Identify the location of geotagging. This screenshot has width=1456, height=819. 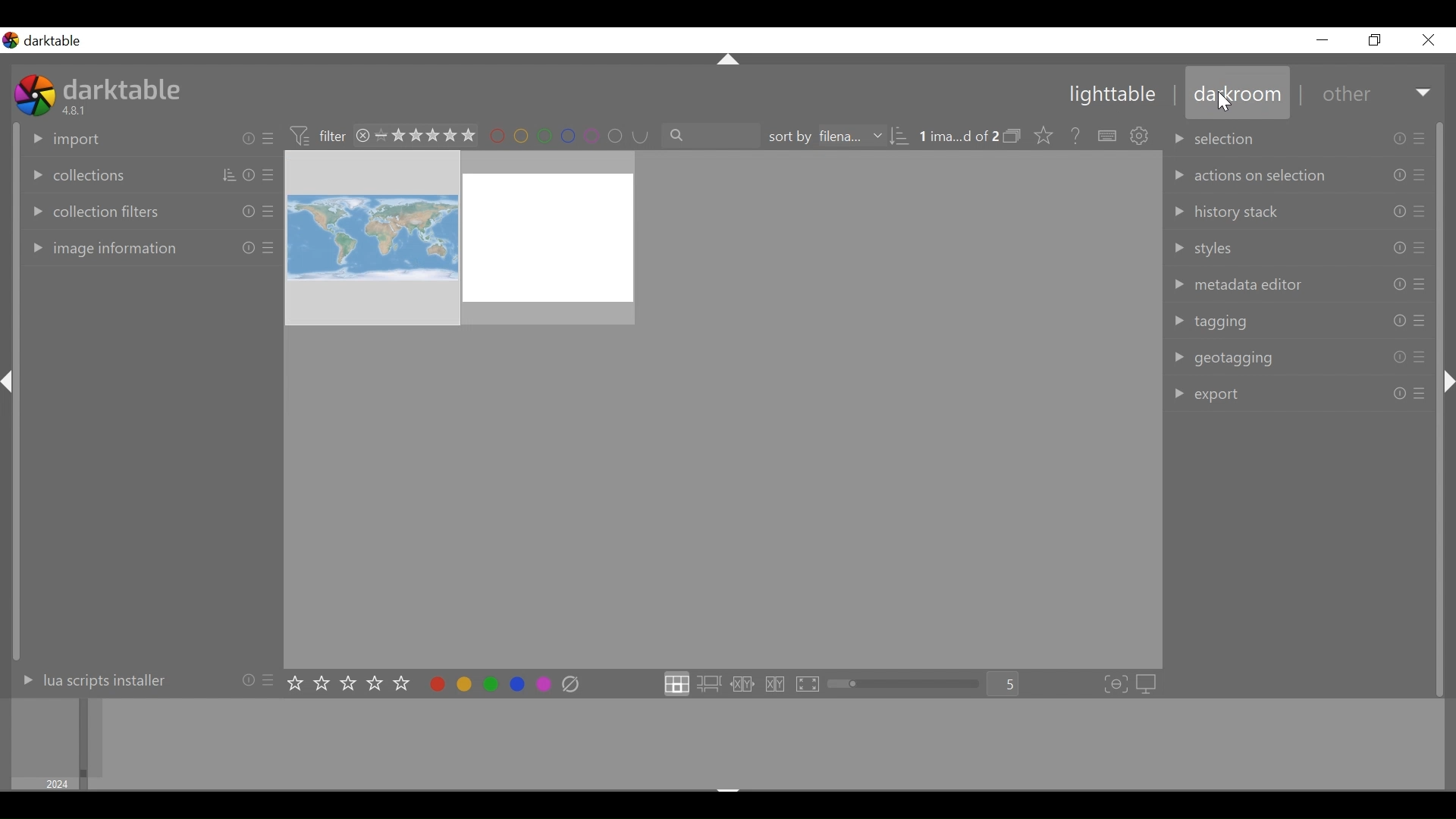
(1295, 357).